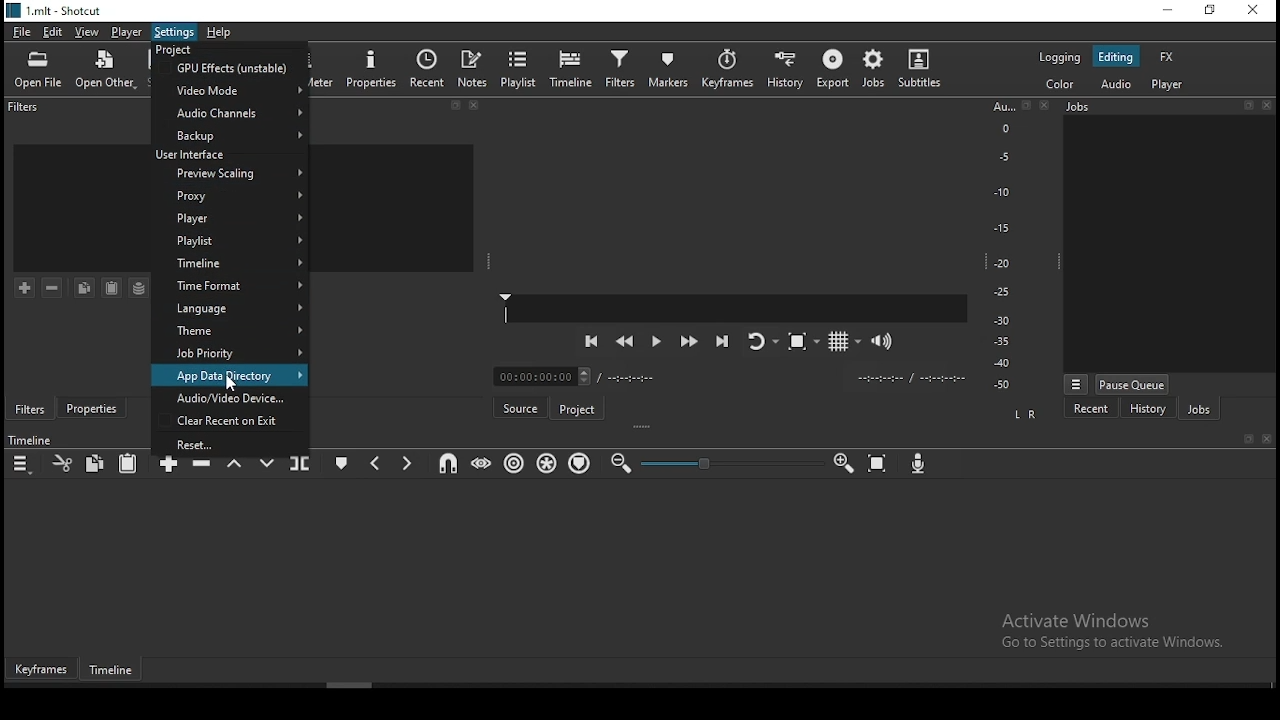  I want to click on source, so click(519, 406).